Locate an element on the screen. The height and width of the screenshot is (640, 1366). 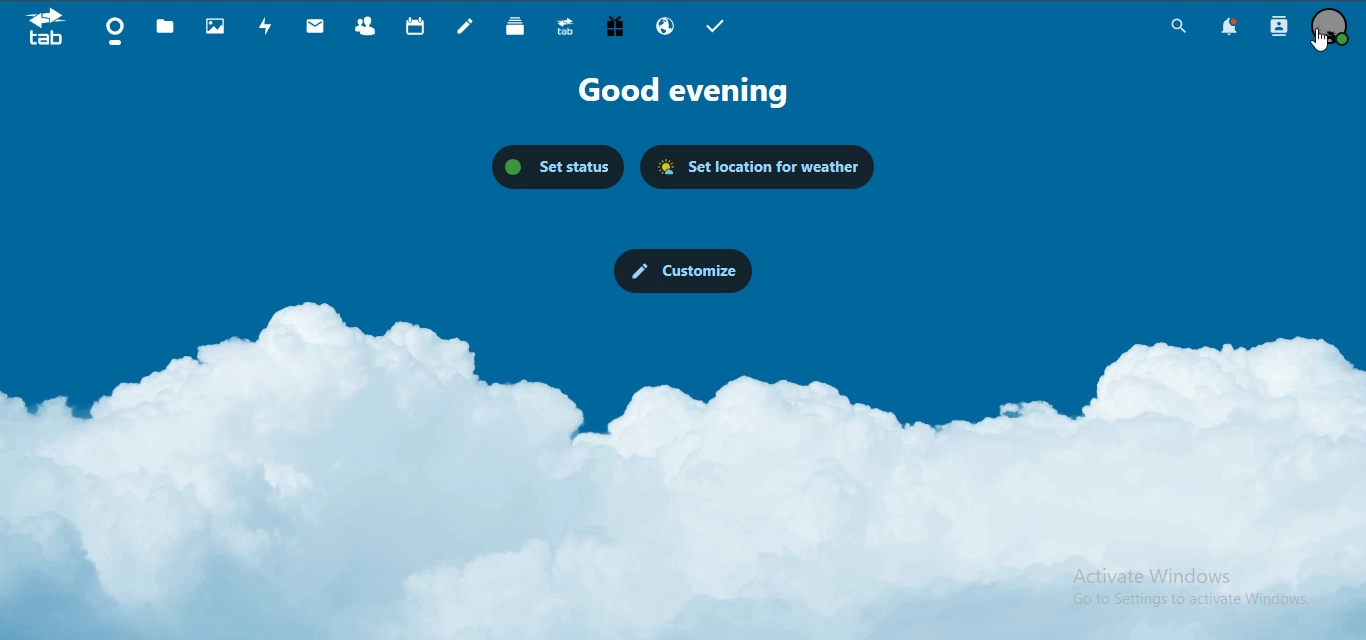
notifications is located at coordinates (1236, 28).